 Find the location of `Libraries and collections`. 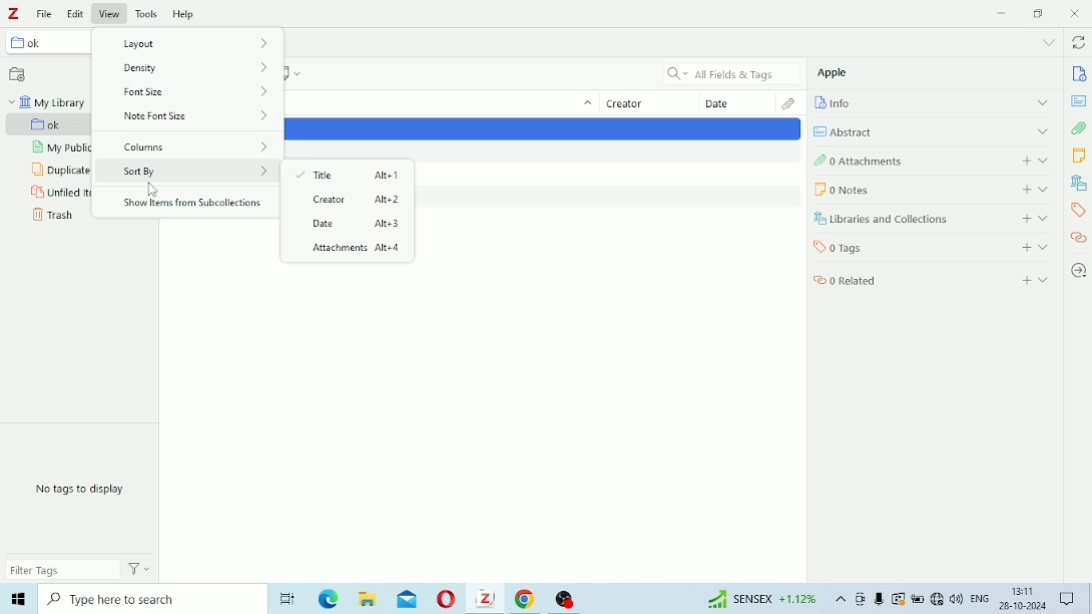

Libraries and collections is located at coordinates (892, 220).